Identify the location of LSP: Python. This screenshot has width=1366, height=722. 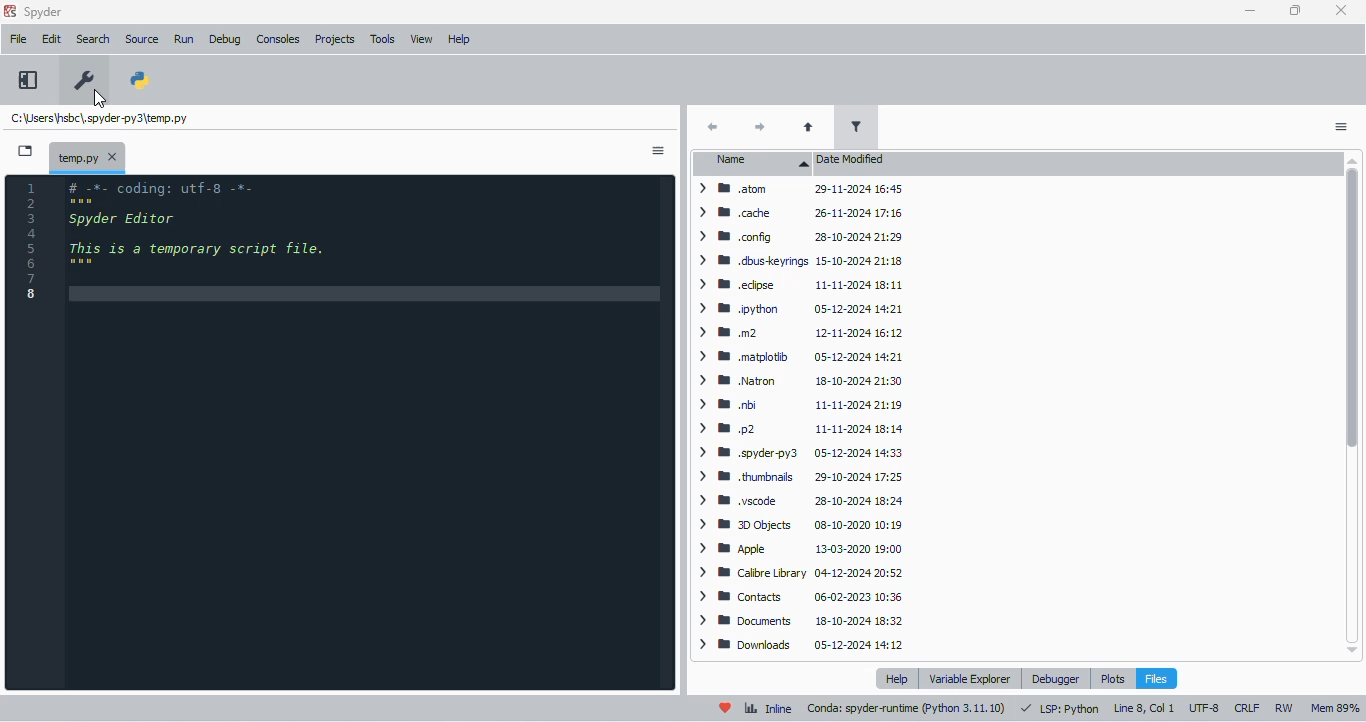
(1059, 707).